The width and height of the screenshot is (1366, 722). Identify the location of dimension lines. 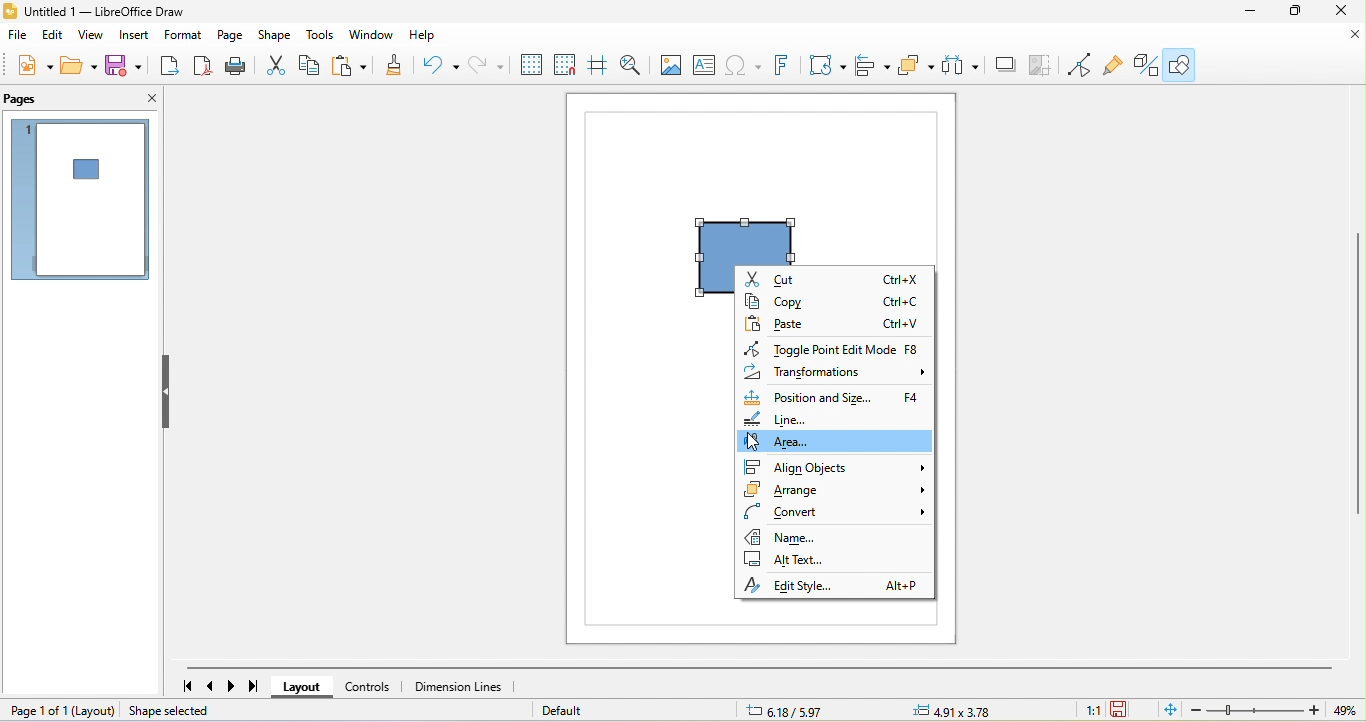
(466, 685).